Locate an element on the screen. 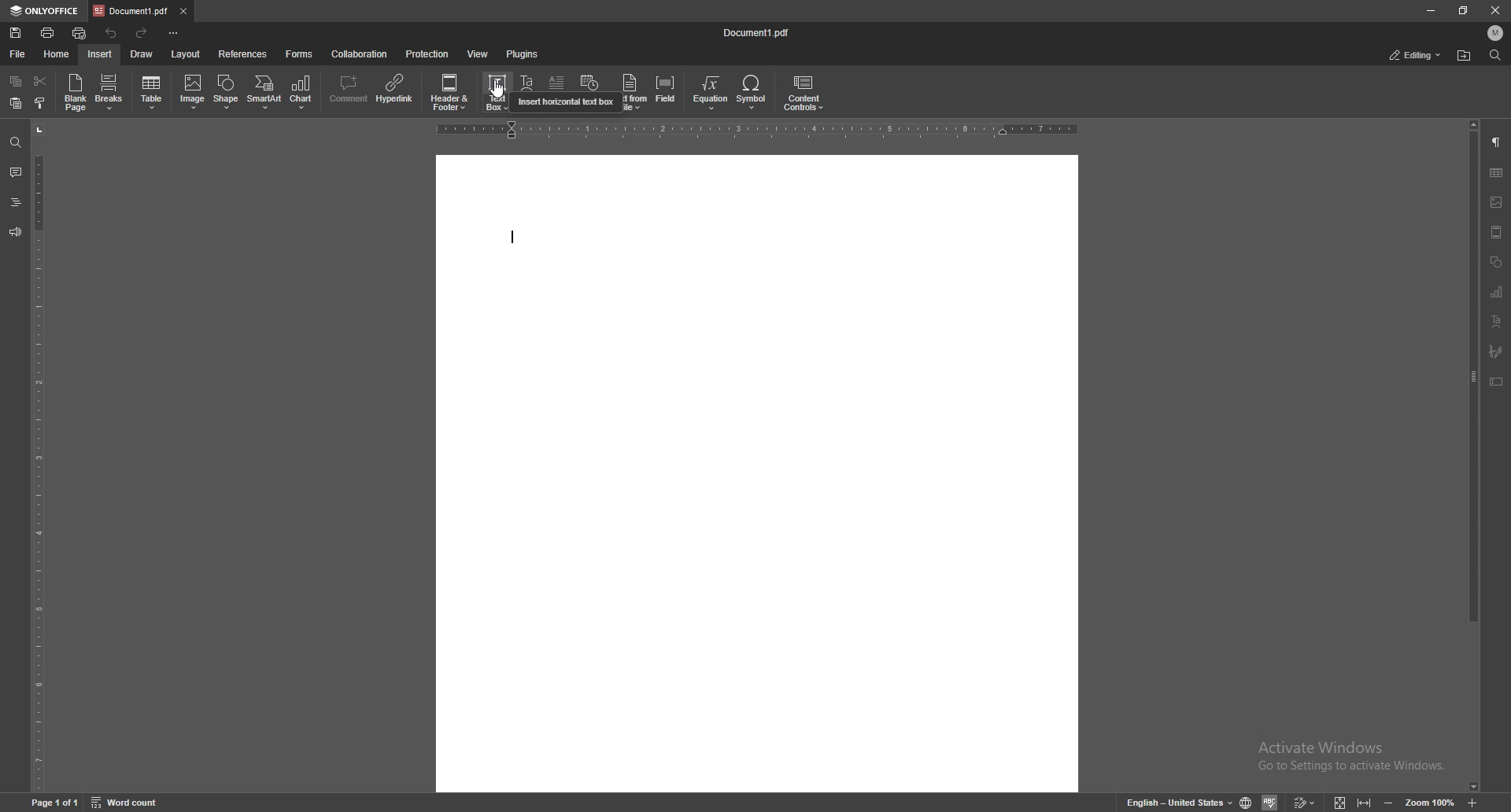 The height and width of the screenshot is (812, 1511). chart is located at coordinates (304, 92).